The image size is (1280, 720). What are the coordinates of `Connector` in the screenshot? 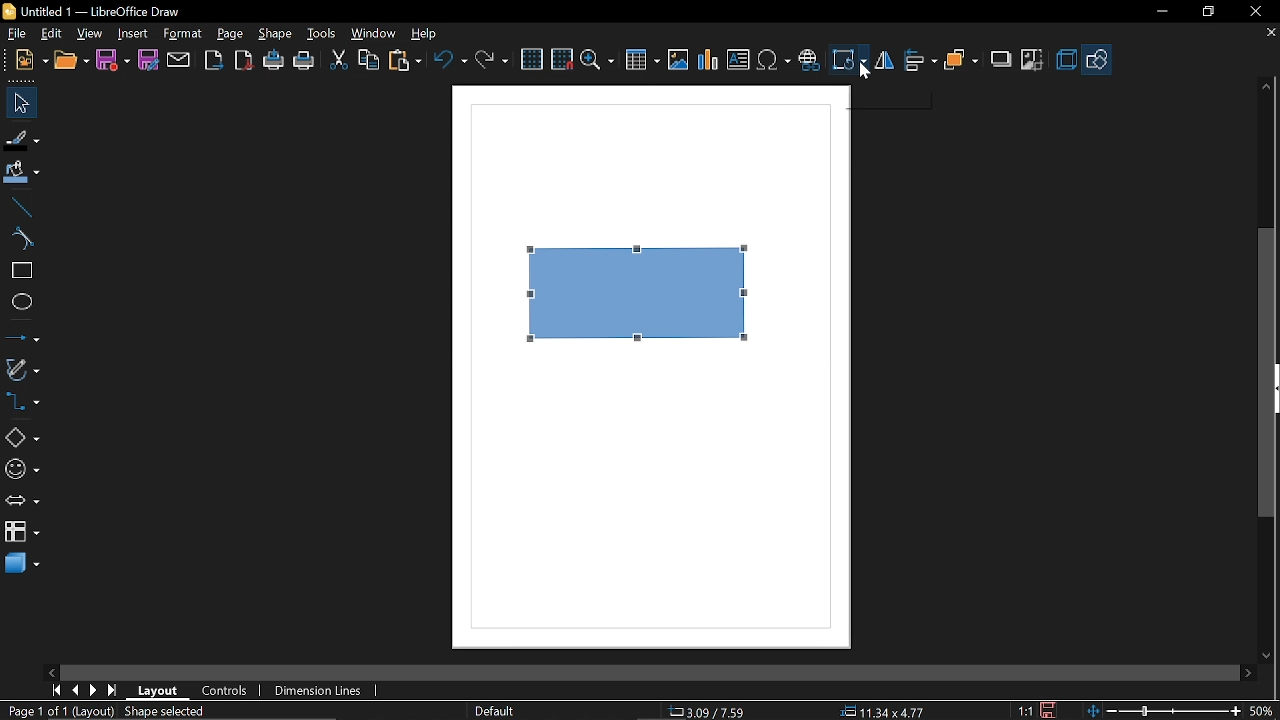 It's located at (22, 404).